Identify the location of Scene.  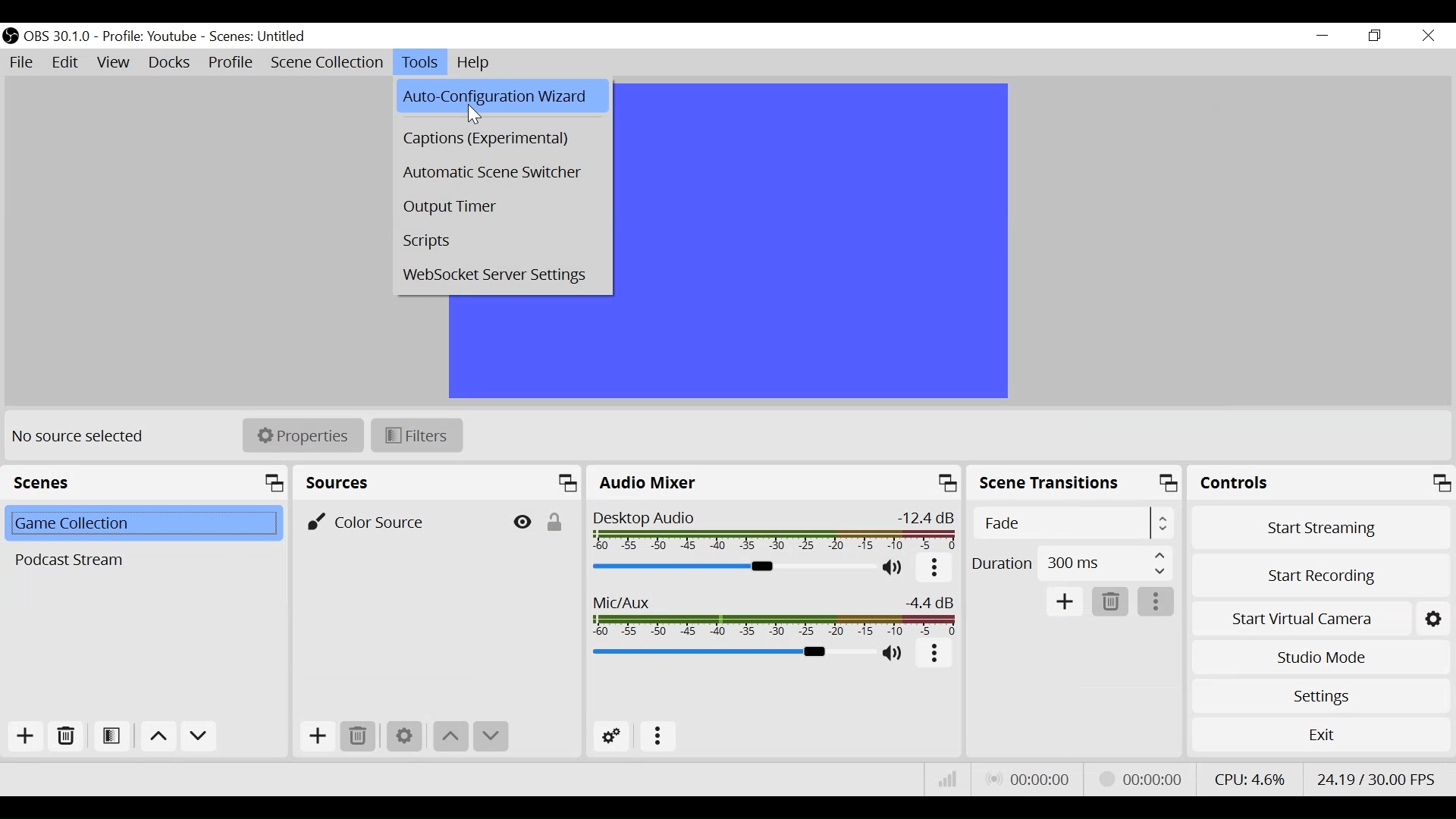
(141, 525).